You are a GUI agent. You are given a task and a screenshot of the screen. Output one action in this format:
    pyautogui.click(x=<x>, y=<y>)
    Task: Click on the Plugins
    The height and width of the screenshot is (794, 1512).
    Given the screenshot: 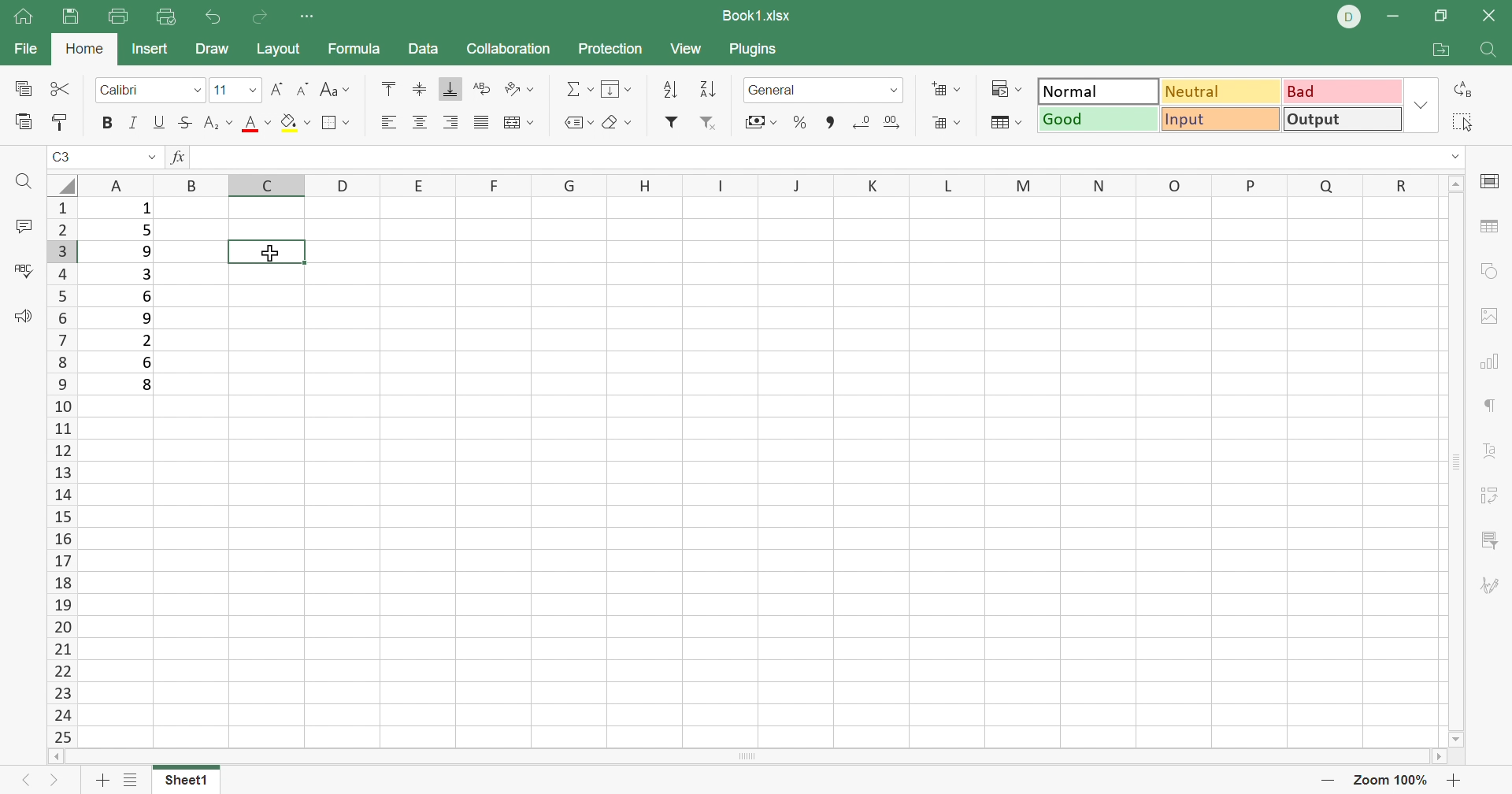 What is the action you would take?
    pyautogui.click(x=754, y=50)
    